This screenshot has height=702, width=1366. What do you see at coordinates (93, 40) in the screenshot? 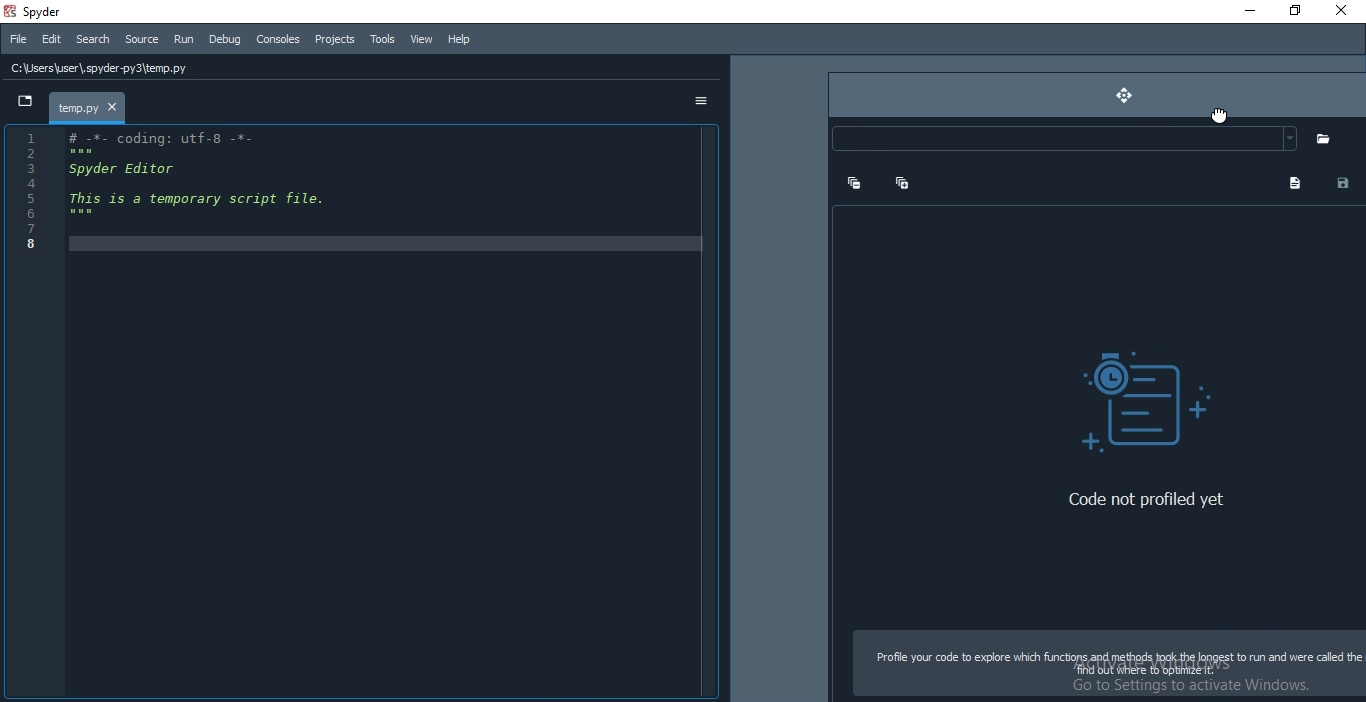
I see `Search` at bounding box center [93, 40].